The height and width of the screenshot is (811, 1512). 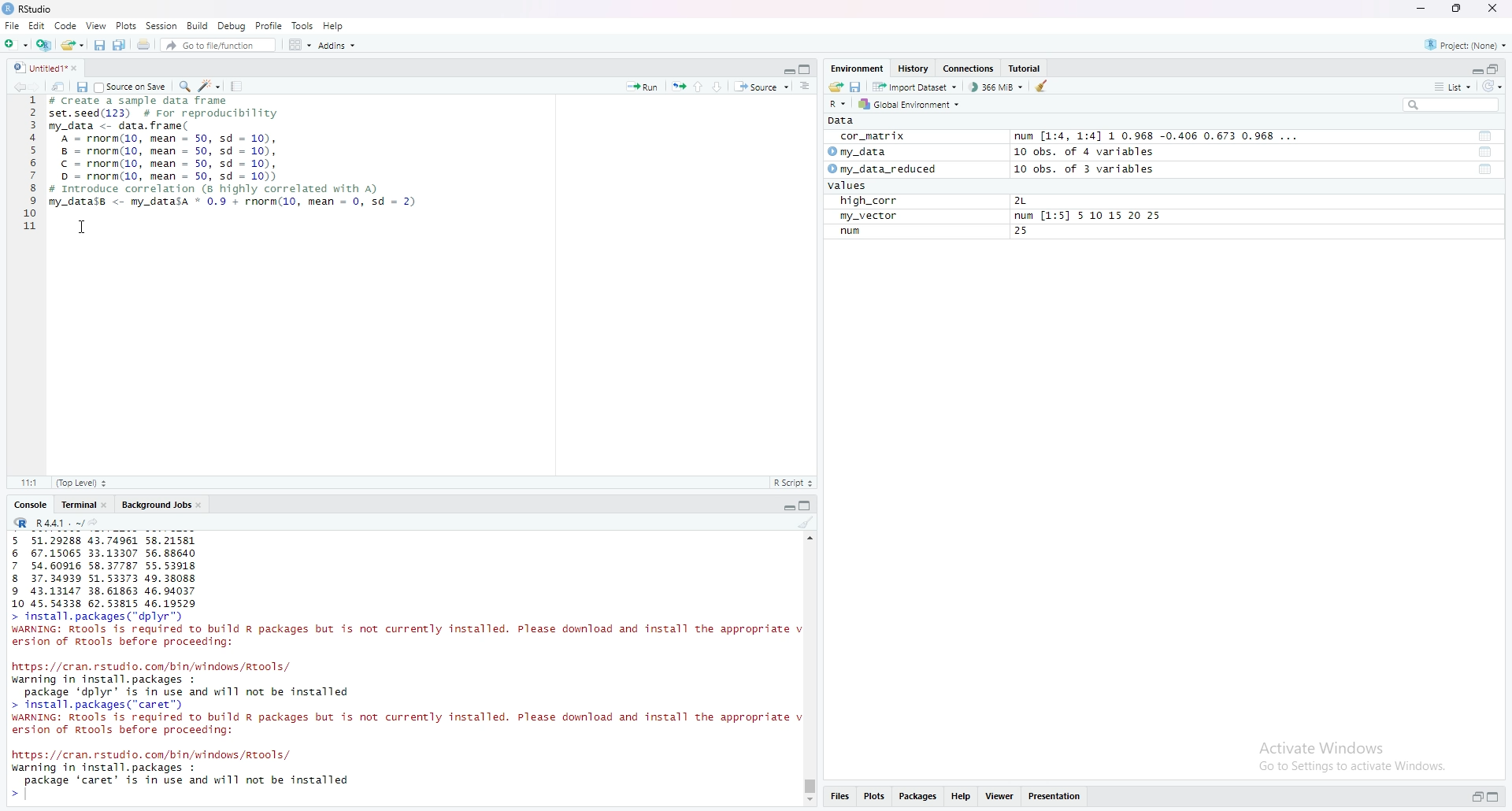 What do you see at coordinates (13, 26) in the screenshot?
I see `File` at bounding box center [13, 26].